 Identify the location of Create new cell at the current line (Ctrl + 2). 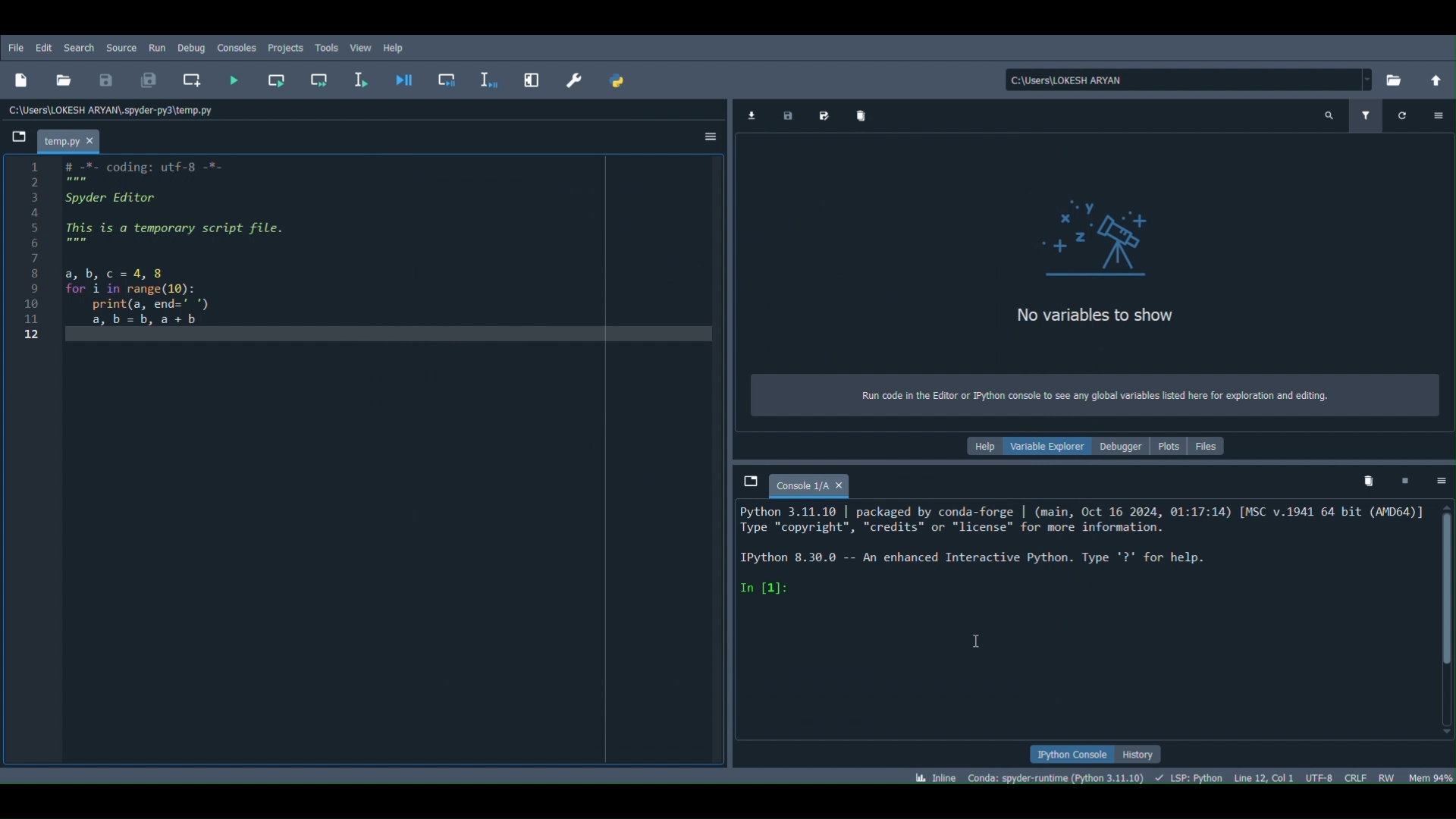
(192, 77).